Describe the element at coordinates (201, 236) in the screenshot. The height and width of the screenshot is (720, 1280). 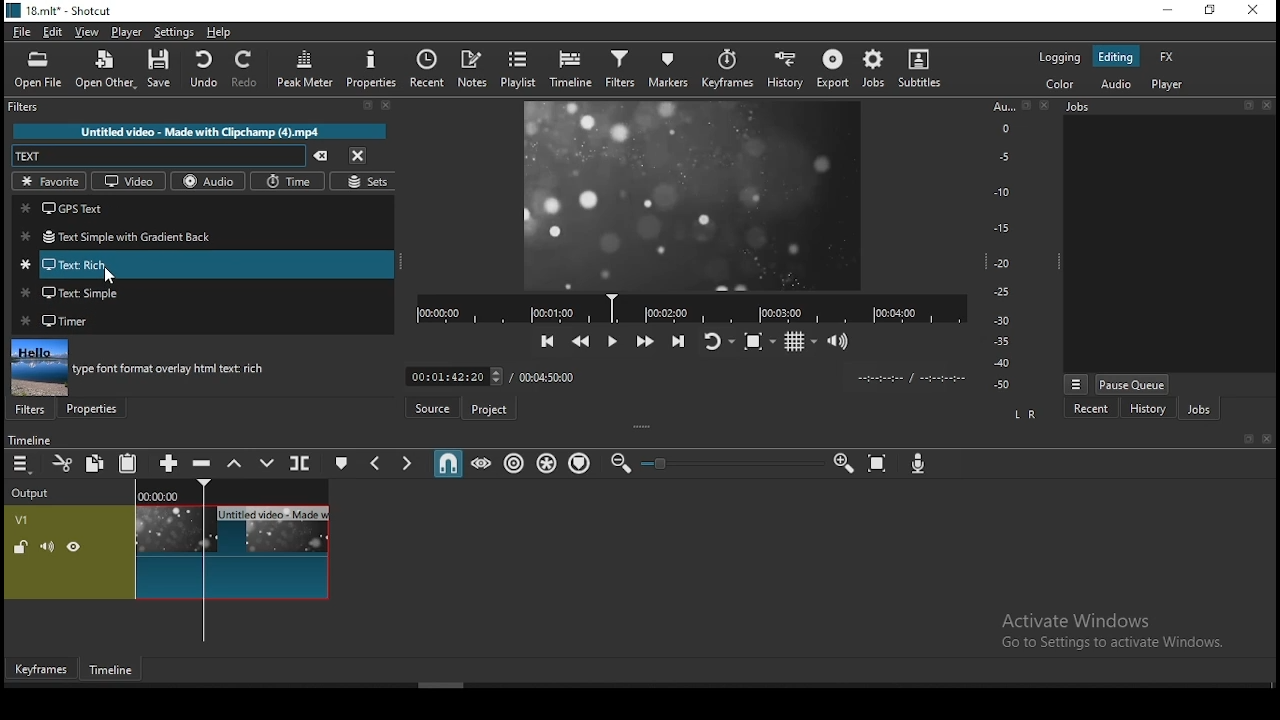
I see `text simple with gradient back` at that location.